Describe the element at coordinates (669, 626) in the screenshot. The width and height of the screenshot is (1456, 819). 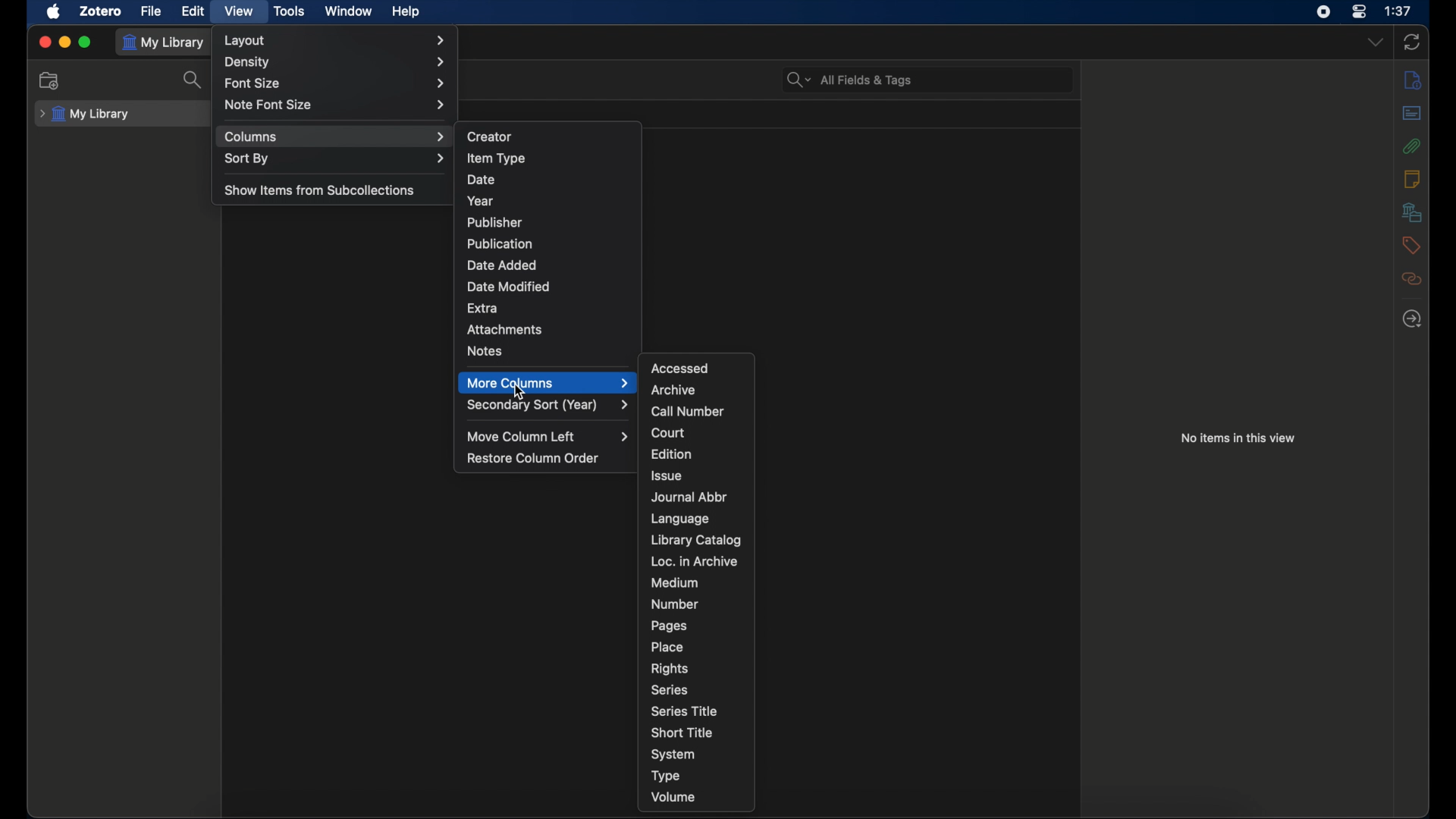
I see `pages` at that location.